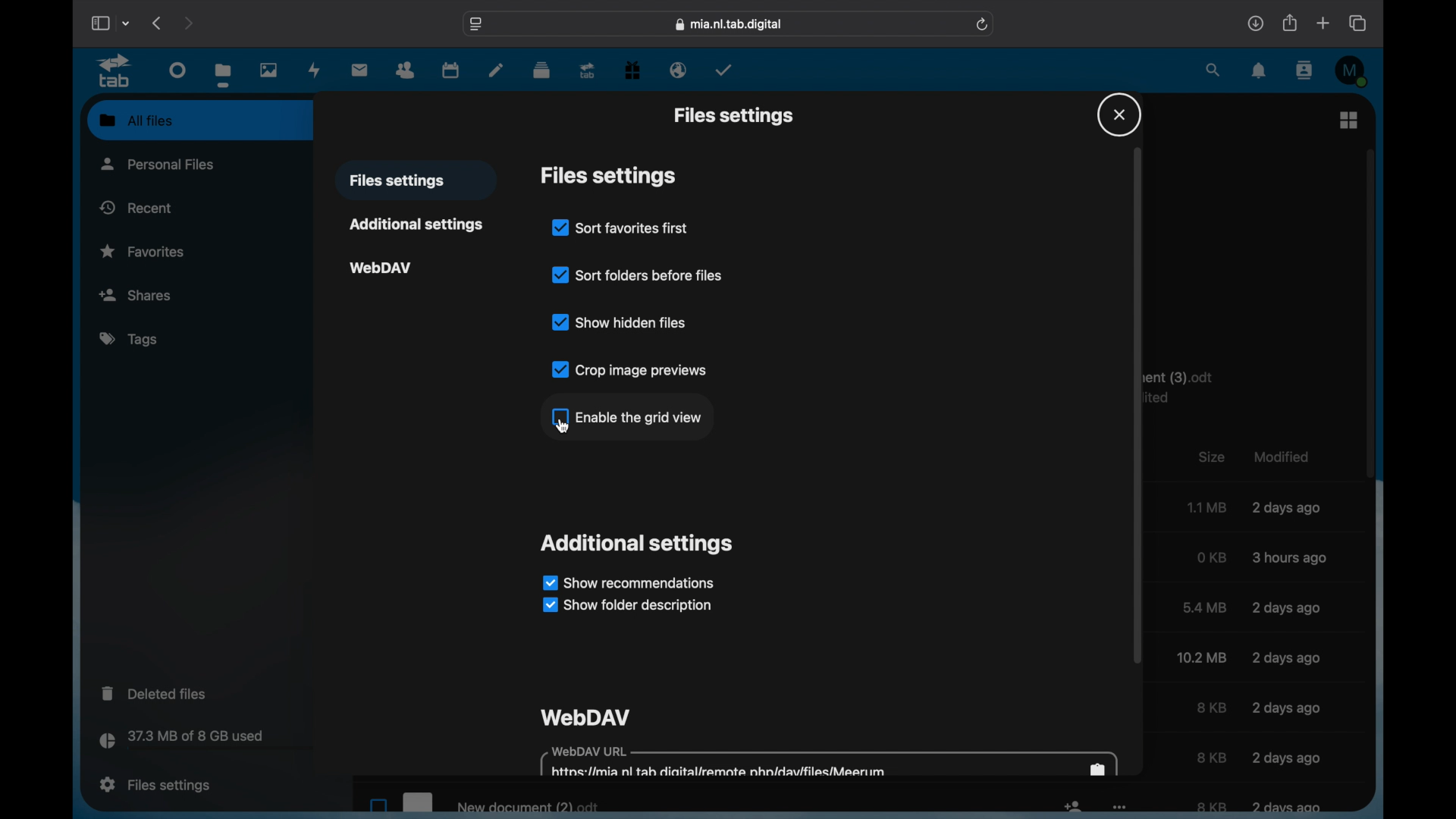 The width and height of the screenshot is (1456, 819). I want to click on tab, so click(588, 70).